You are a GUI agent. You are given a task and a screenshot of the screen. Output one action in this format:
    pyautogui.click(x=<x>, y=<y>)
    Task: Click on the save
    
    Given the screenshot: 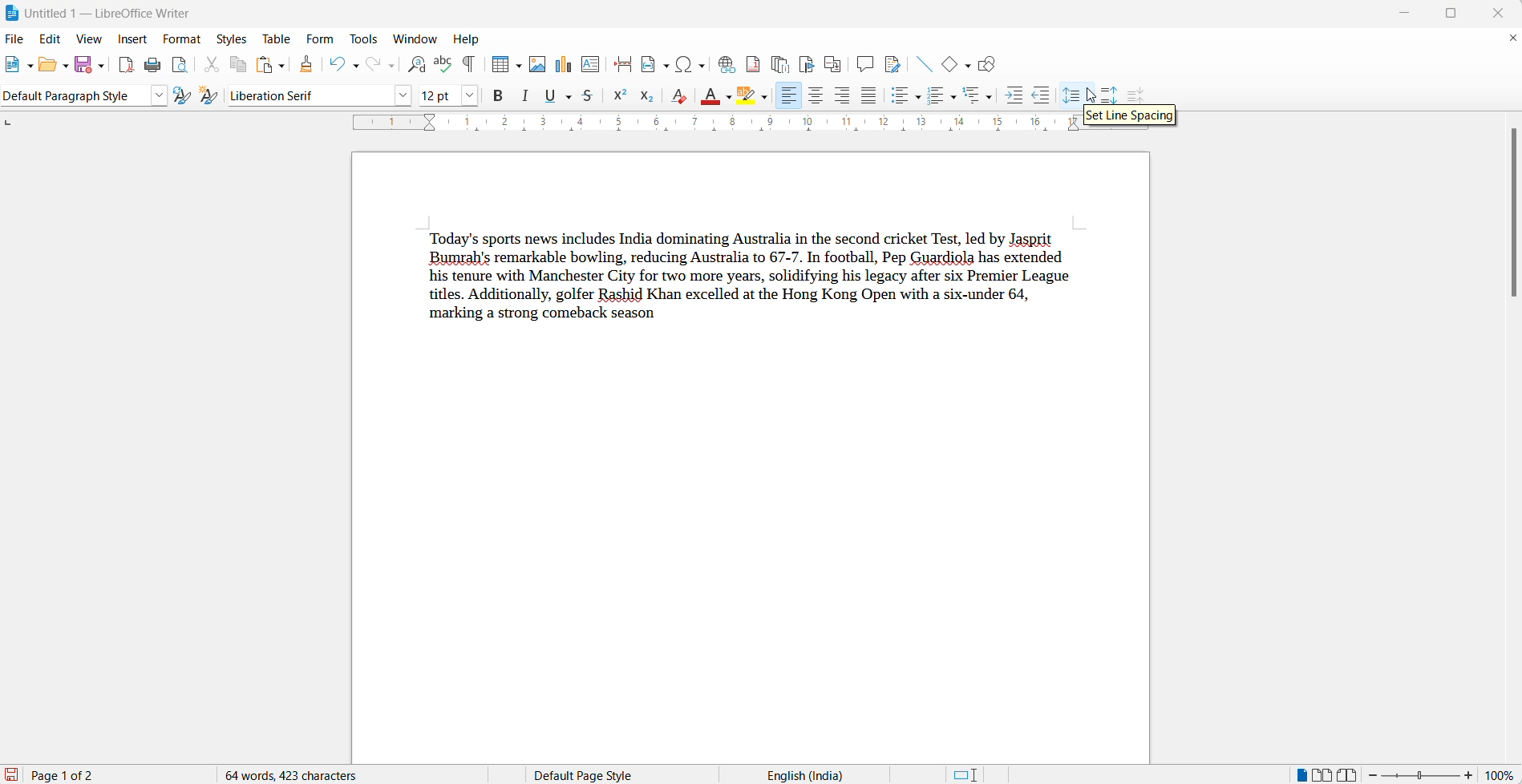 What is the action you would take?
    pyautogui.click(x=80, y=66)
    